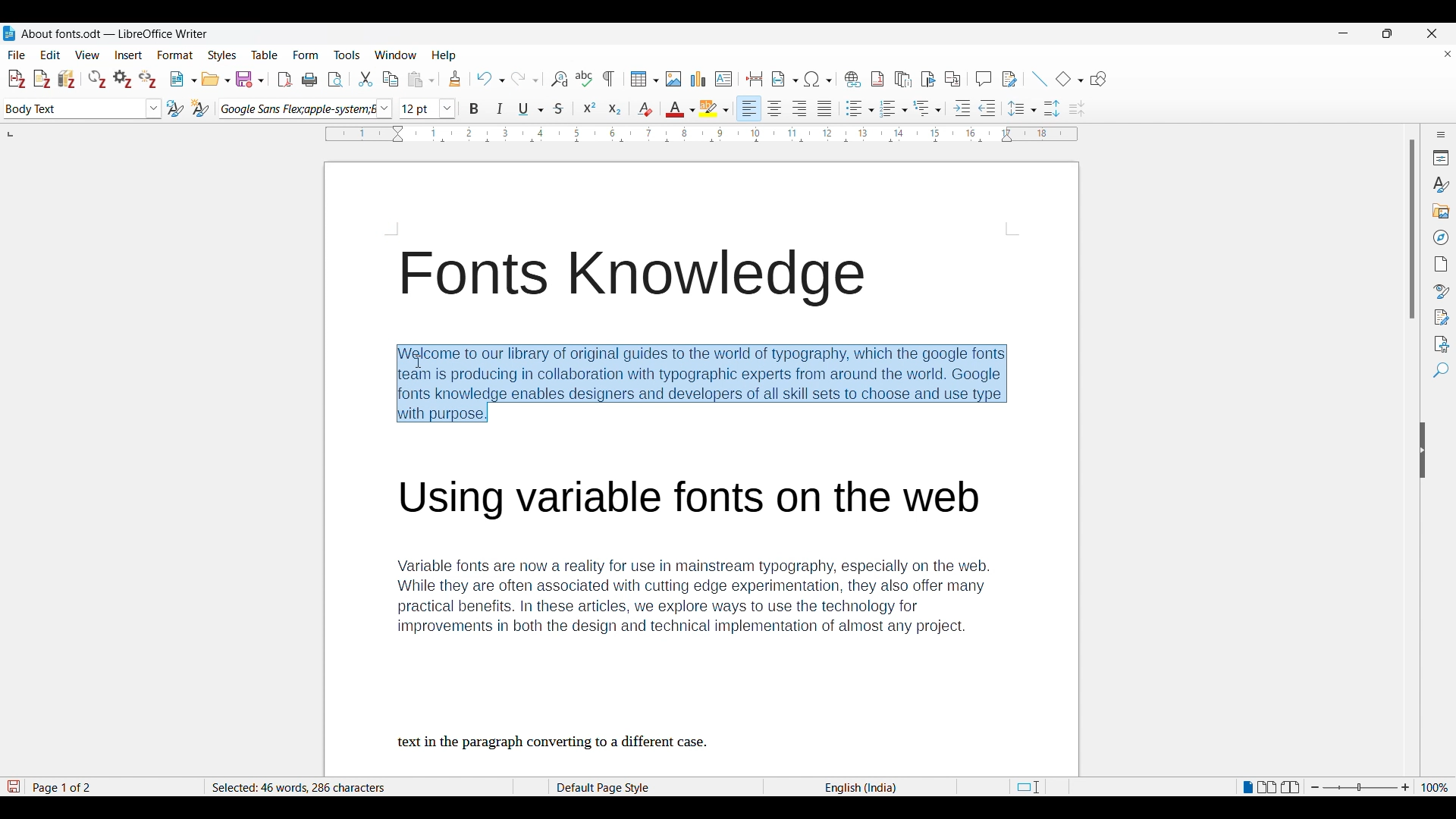 Image resolution: width=1456 pixels, height=819 pixels. Describe the element at coordinates (1448, 54) in the screenshot. I see `Close document` at that location.